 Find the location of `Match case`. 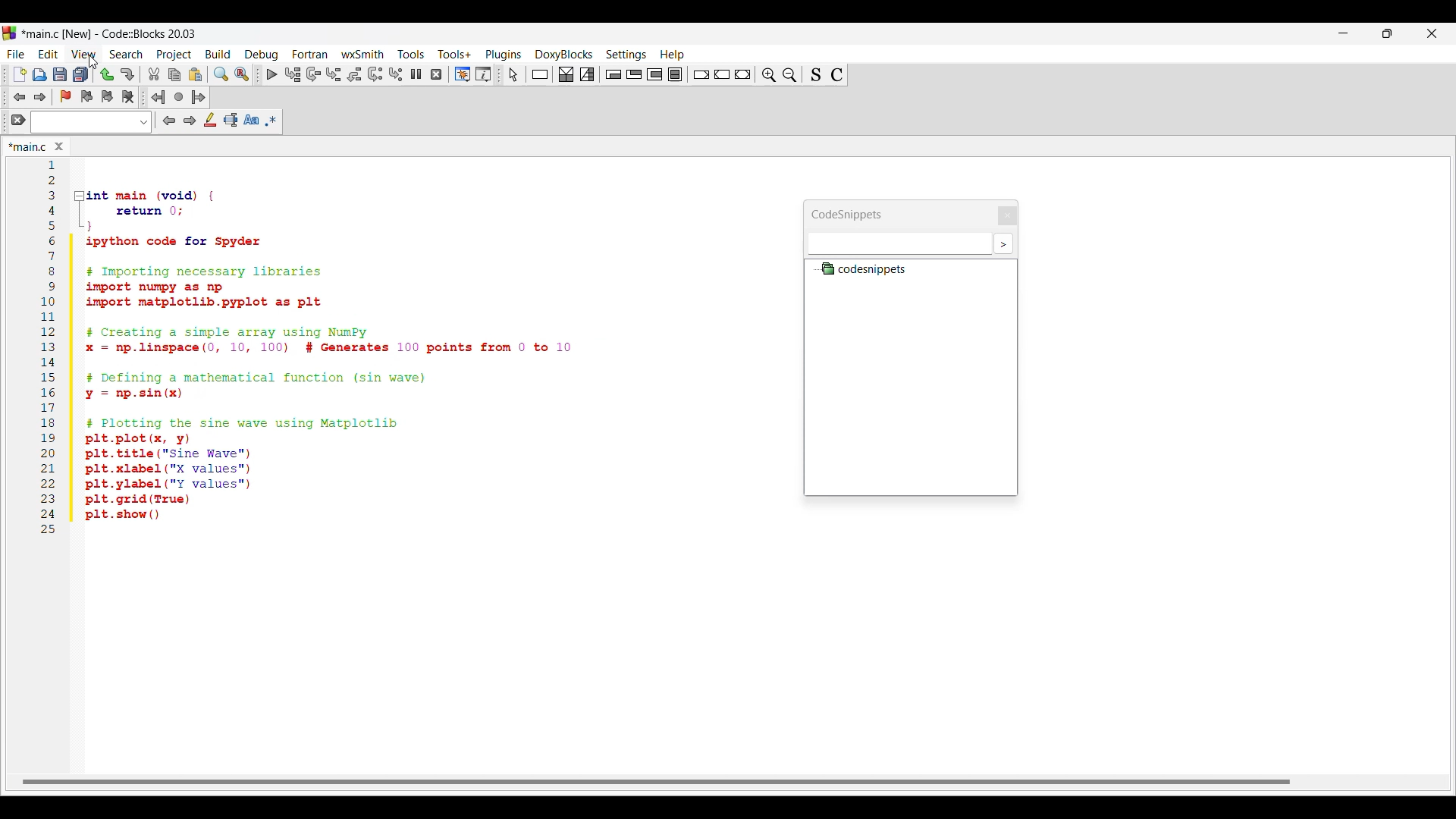

Match case is located at coordinates (252, 120).